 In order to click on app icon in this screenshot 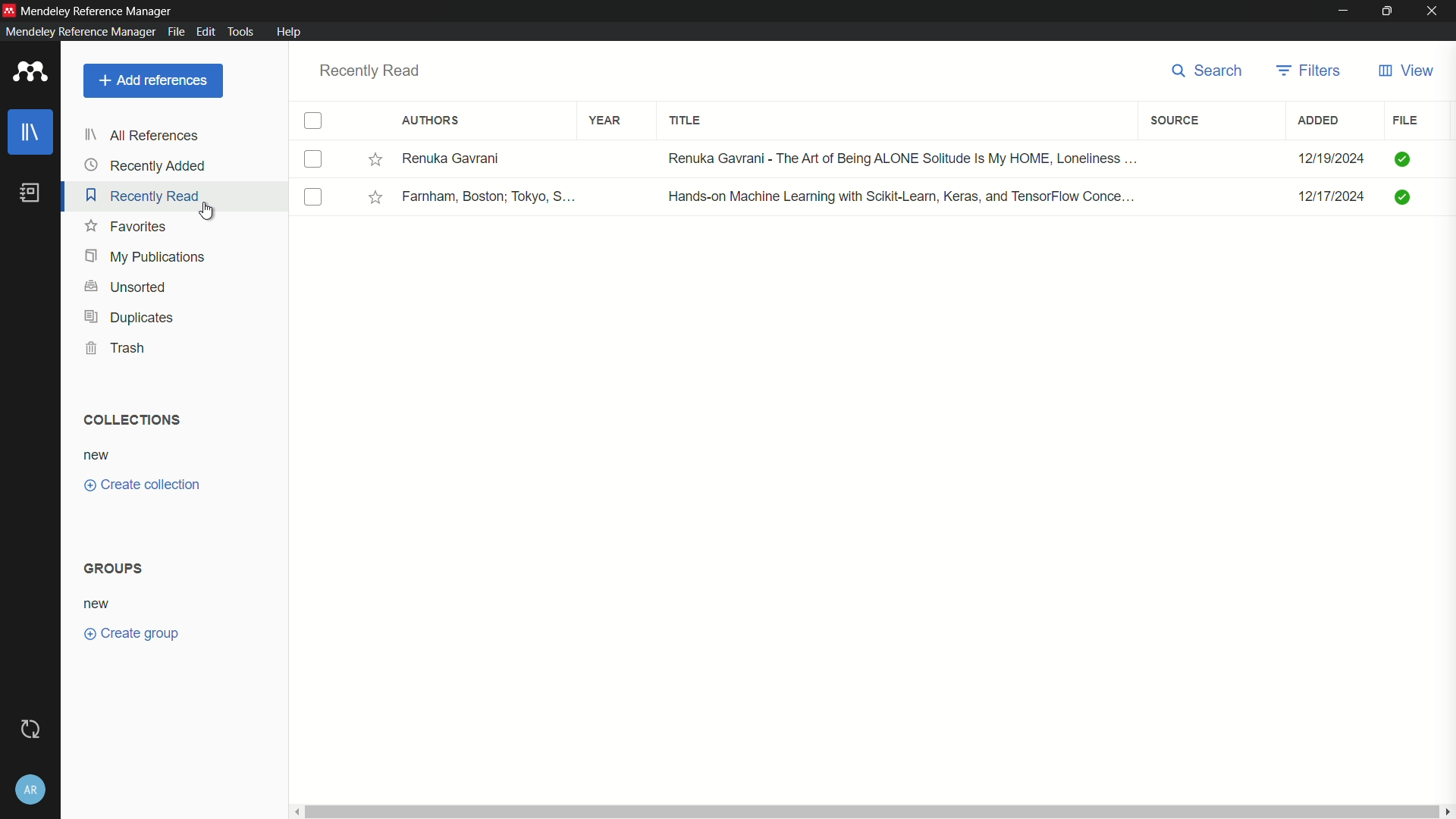, I will do `click(9, 9)`.